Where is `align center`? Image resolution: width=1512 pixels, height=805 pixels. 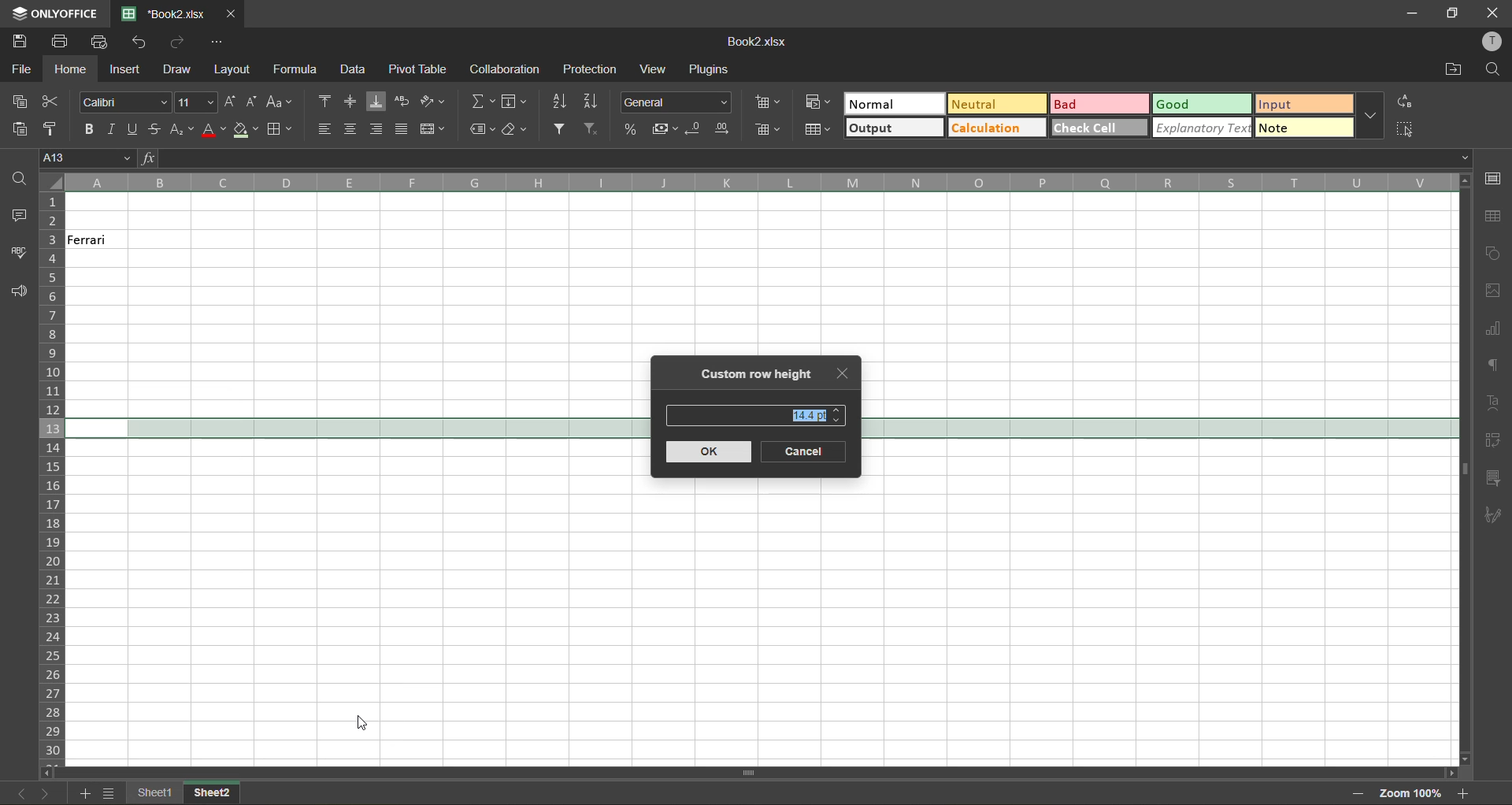 align center is located at coordinates (354, 129).